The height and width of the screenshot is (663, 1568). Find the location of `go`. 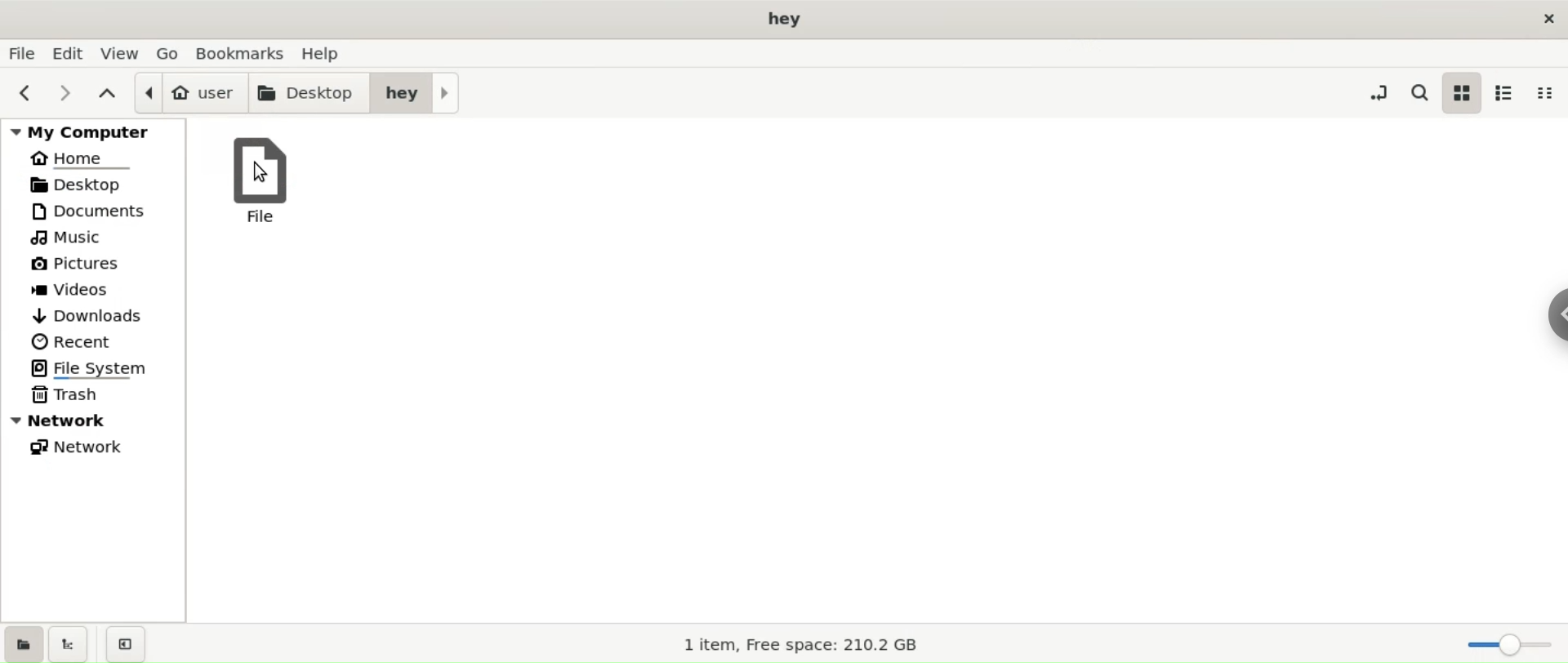

go is located at coordinates (170, 54).